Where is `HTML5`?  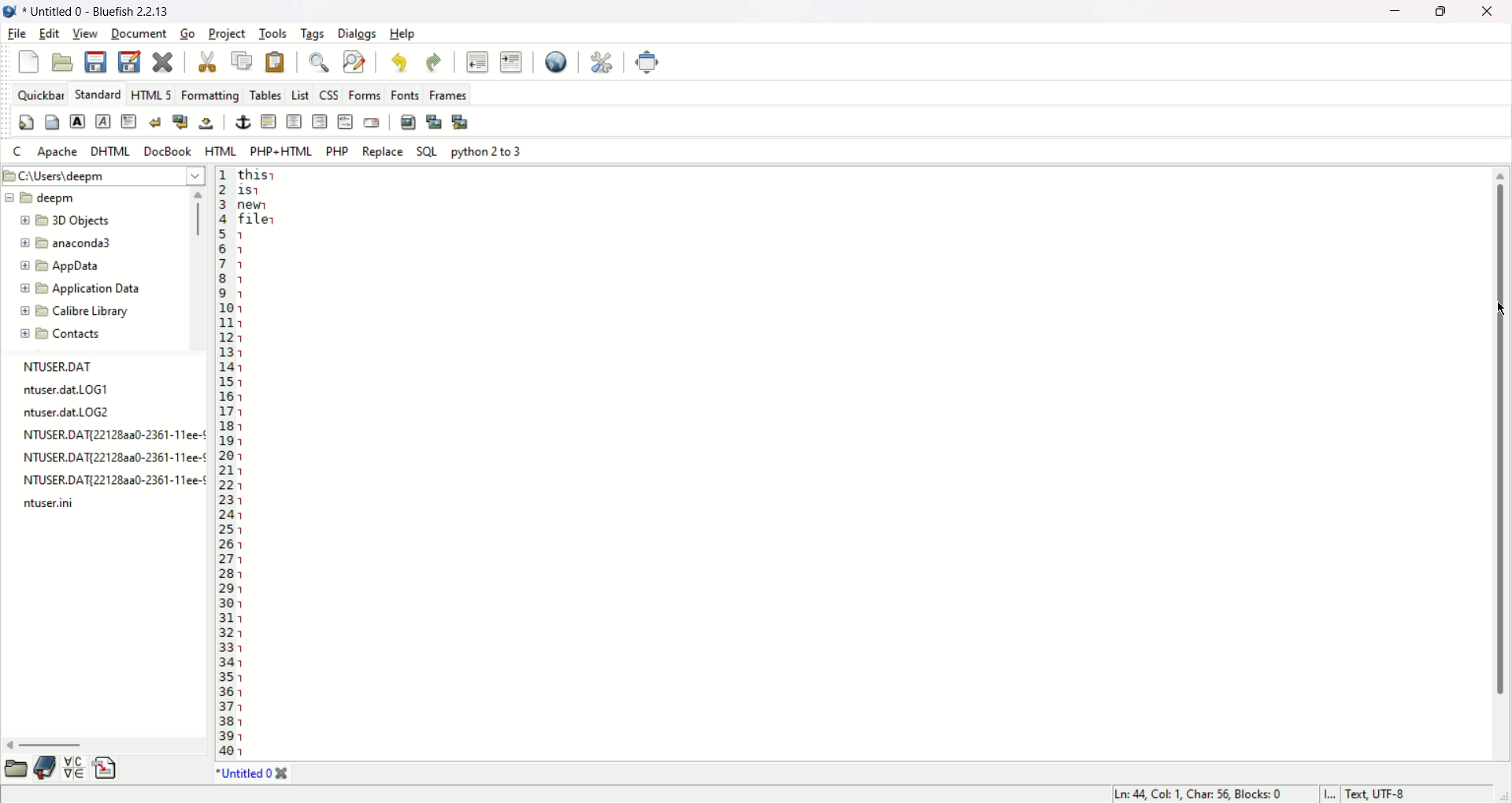 HTML5 is located at coordinates (150, 95).